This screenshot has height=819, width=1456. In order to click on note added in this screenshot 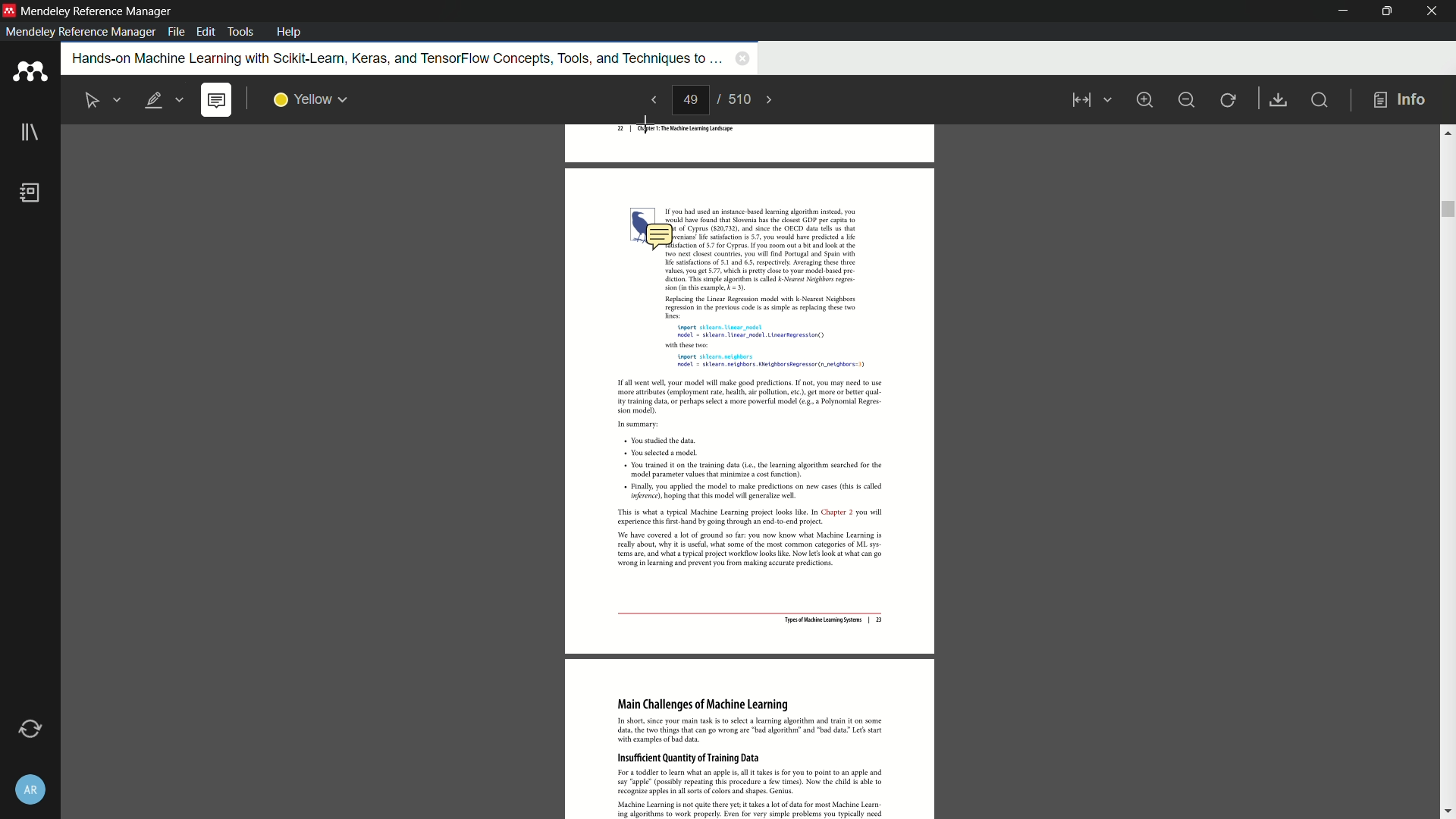, I will do `click(658, 237)`.